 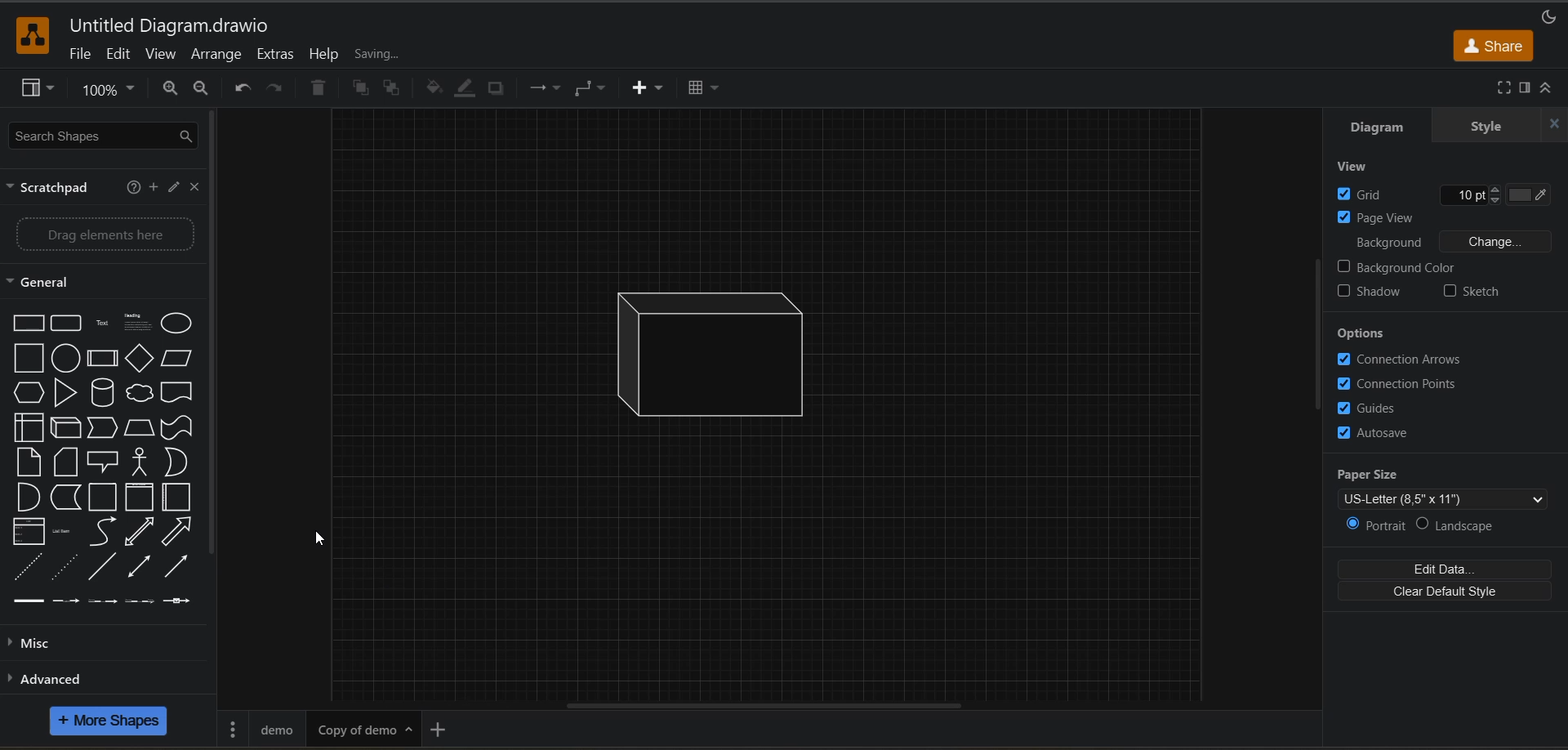 I want to click on all changes saved, so click(x=407, y=57).